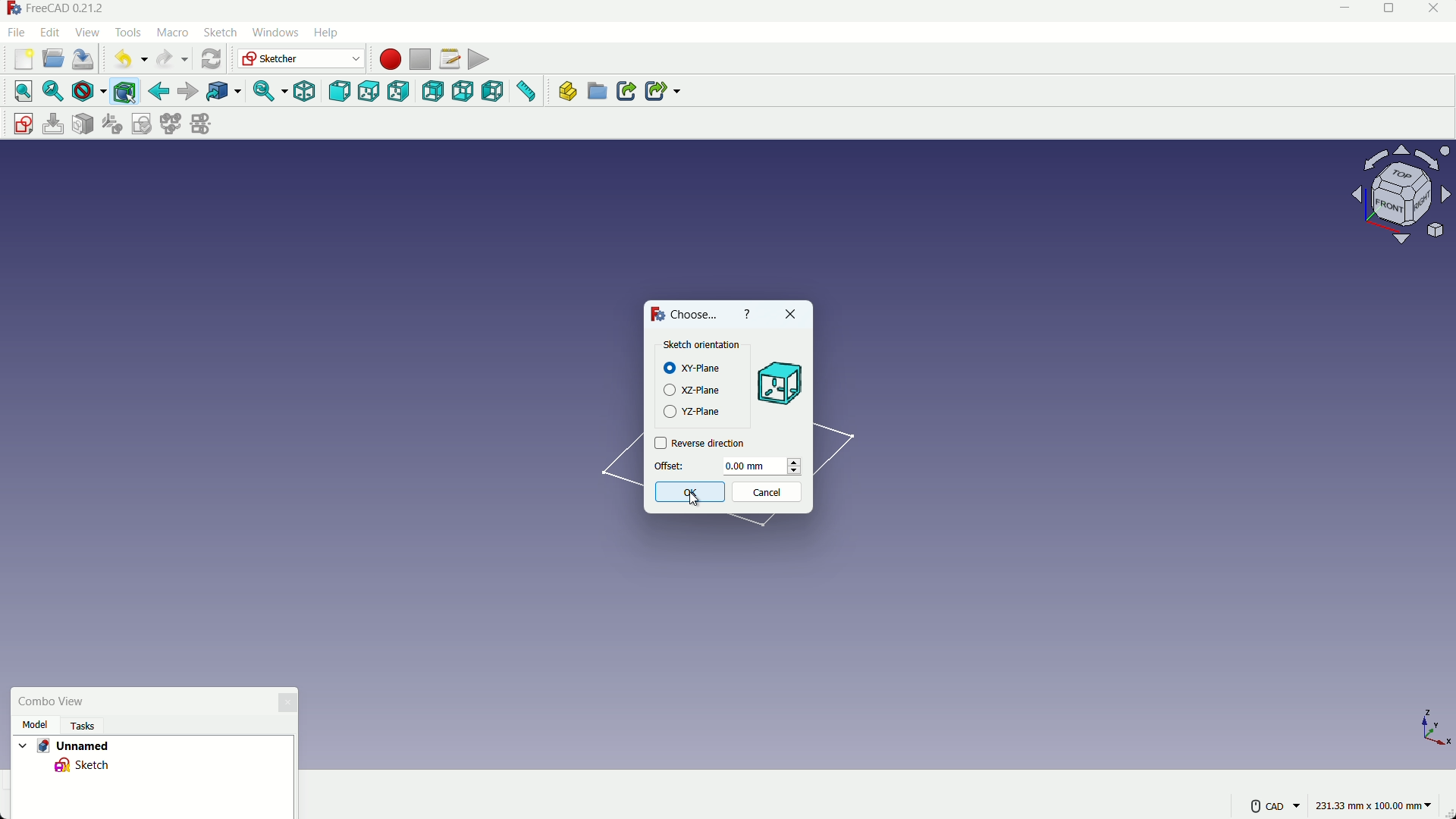  I want to click on macros setting, so click(449, 59).